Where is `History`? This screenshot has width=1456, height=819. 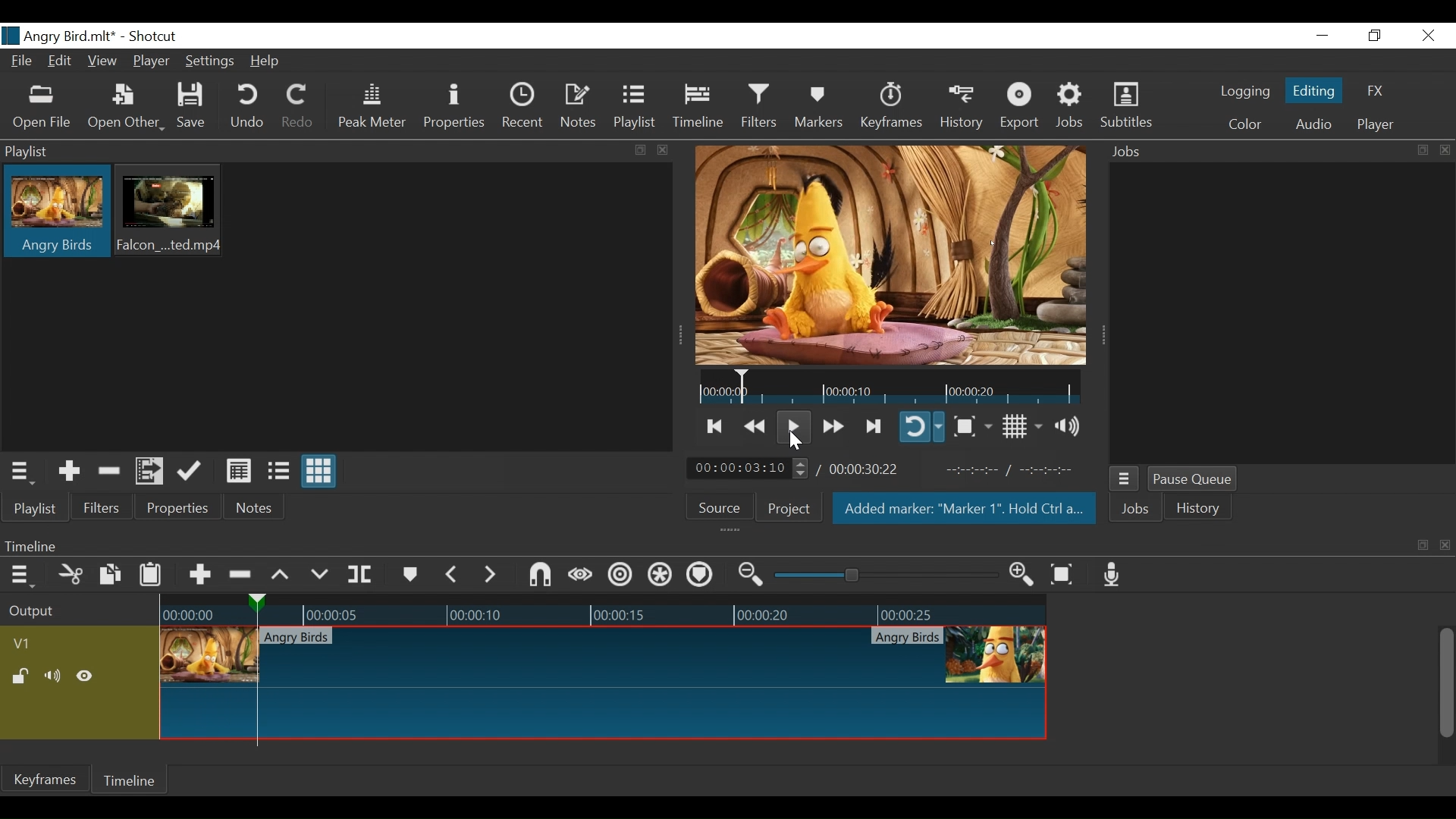
History is located at coordinates (964, 108).